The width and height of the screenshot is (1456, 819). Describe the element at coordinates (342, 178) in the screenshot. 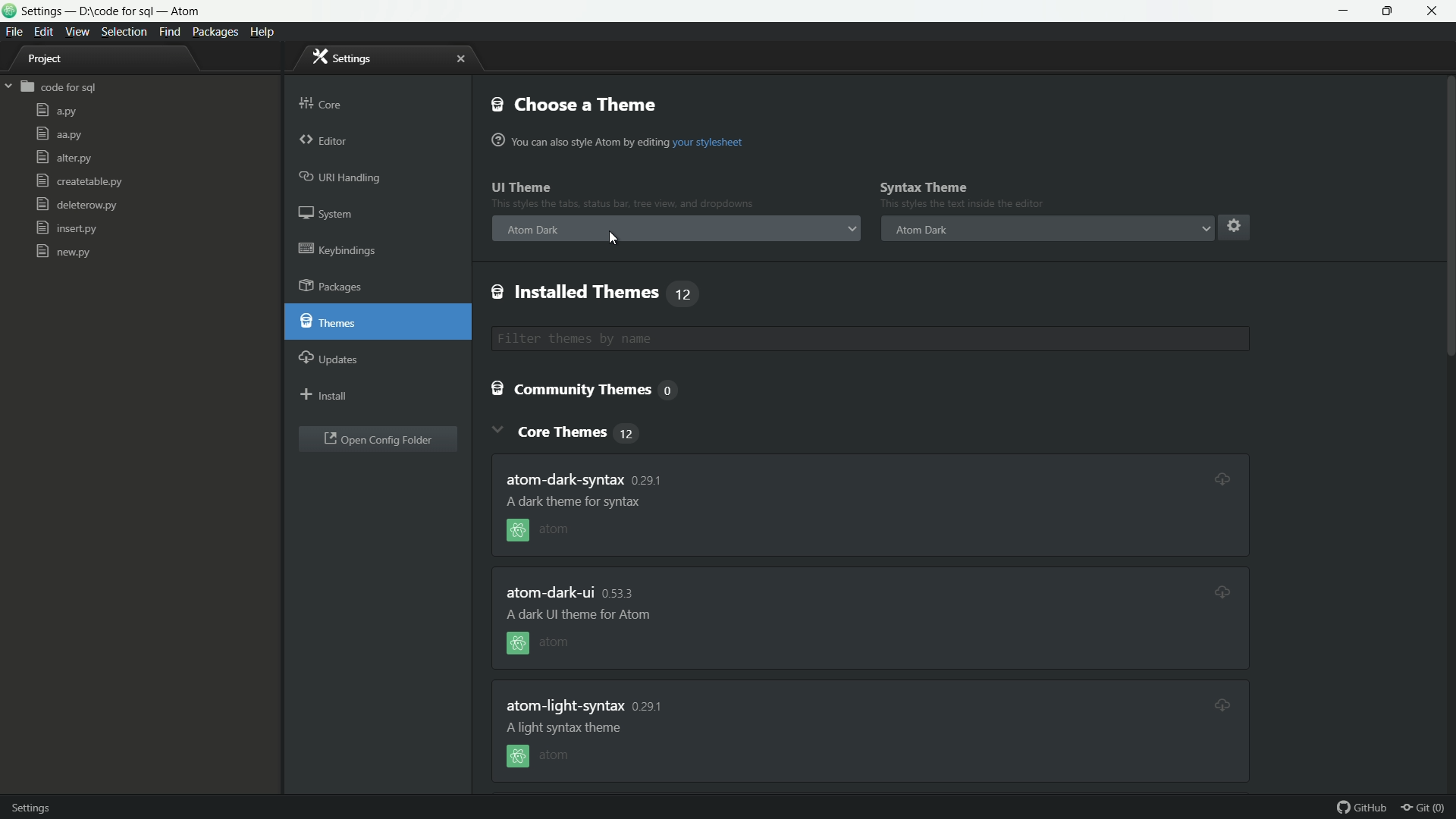

I see `uri handing` at that location.